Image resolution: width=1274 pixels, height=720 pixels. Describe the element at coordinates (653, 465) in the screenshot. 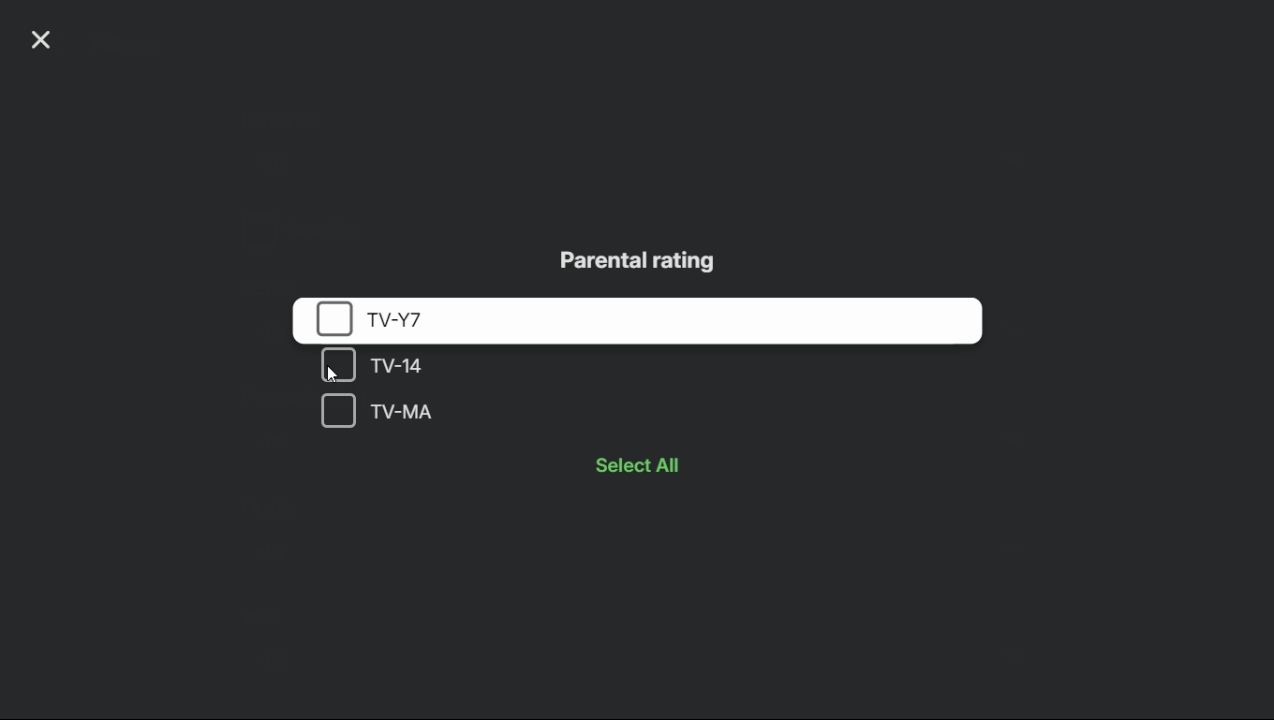

I see `select All` at that location.